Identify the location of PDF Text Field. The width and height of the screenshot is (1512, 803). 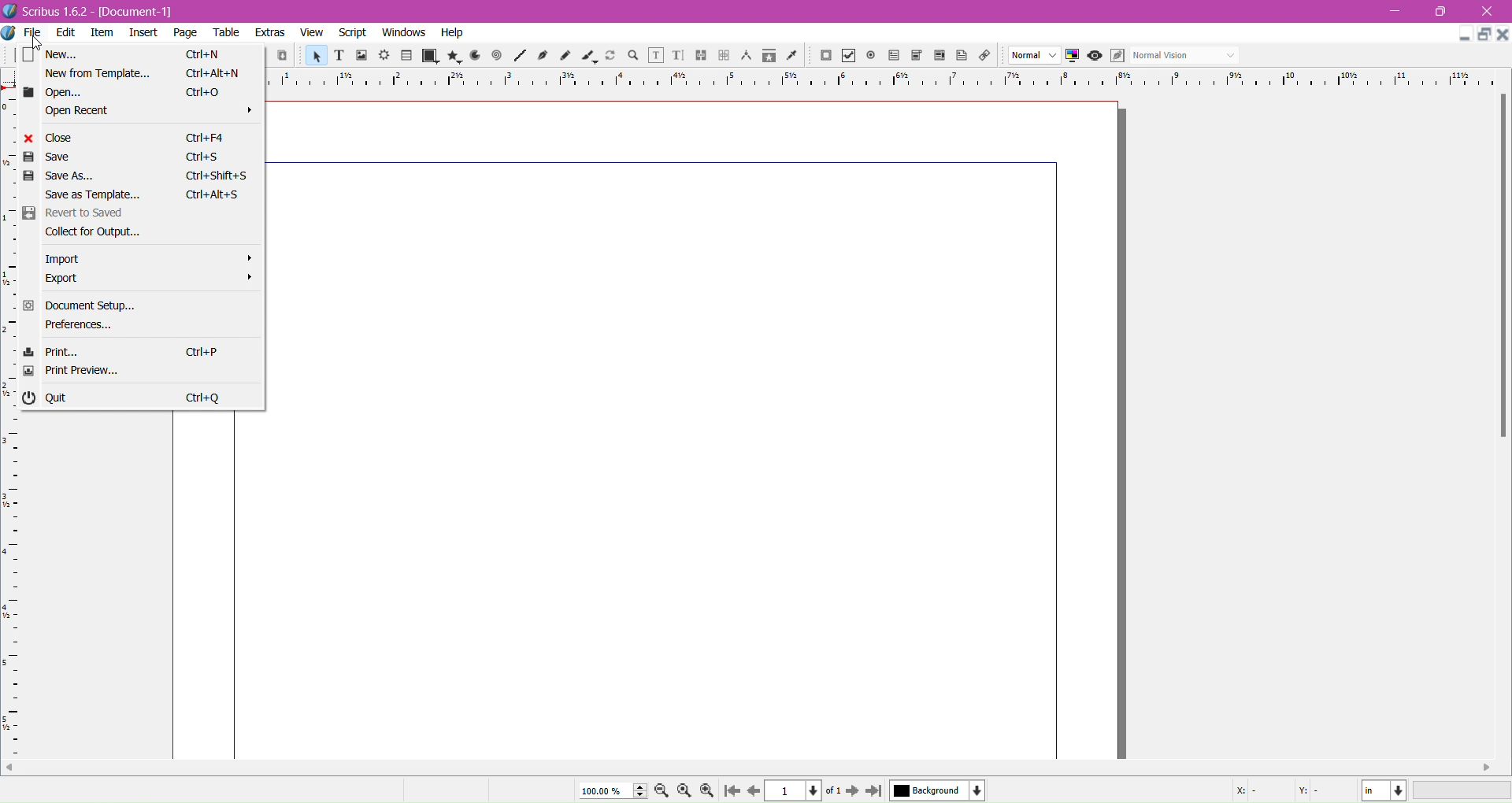
(893, 56).